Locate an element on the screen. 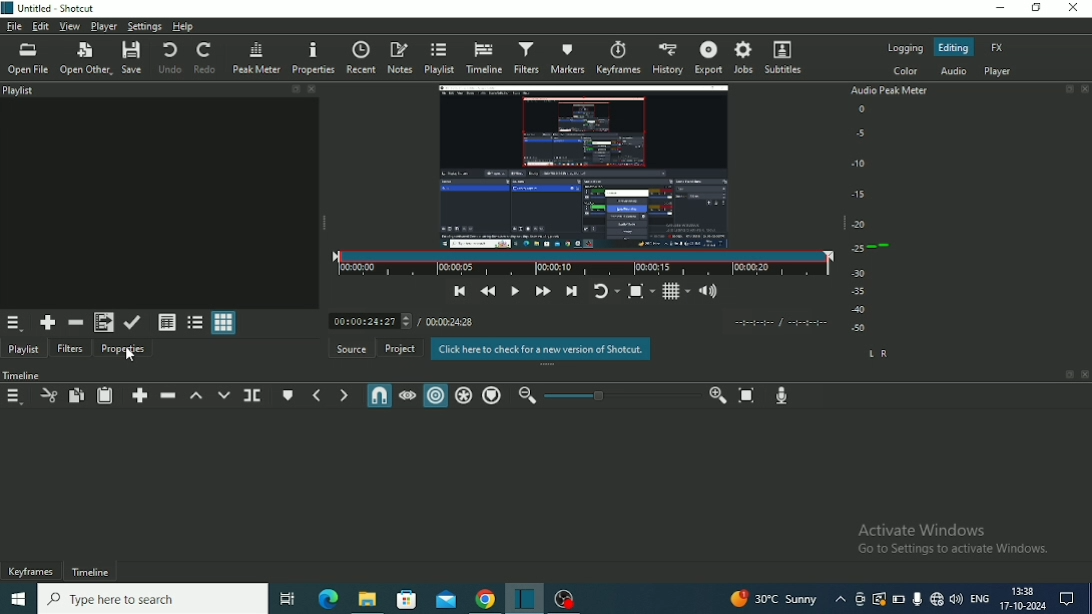  Split at playhead is located at coordinates (253, 396).